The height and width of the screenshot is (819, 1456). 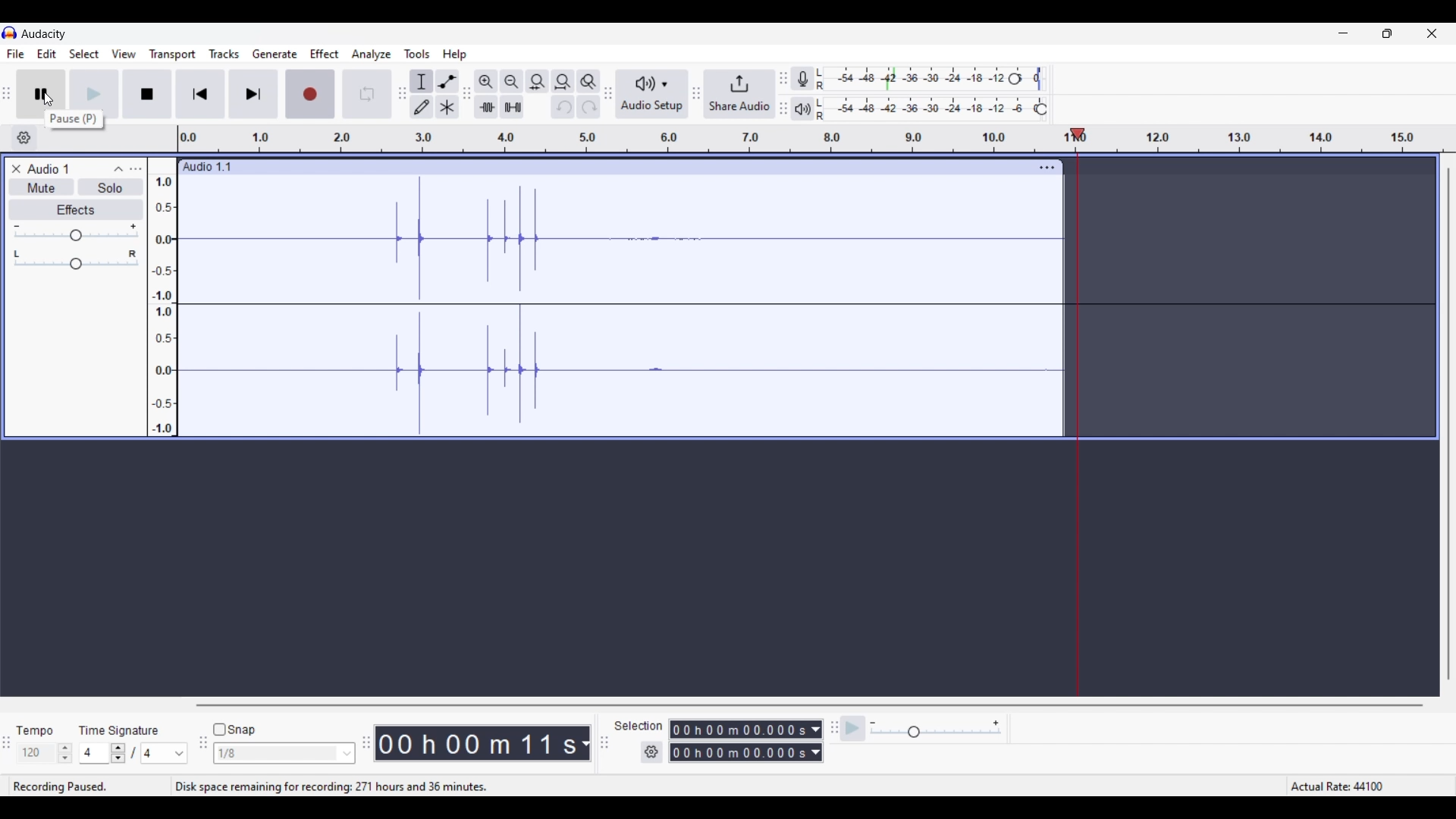 I want to click on toolbar, so click(x=9, y=89).